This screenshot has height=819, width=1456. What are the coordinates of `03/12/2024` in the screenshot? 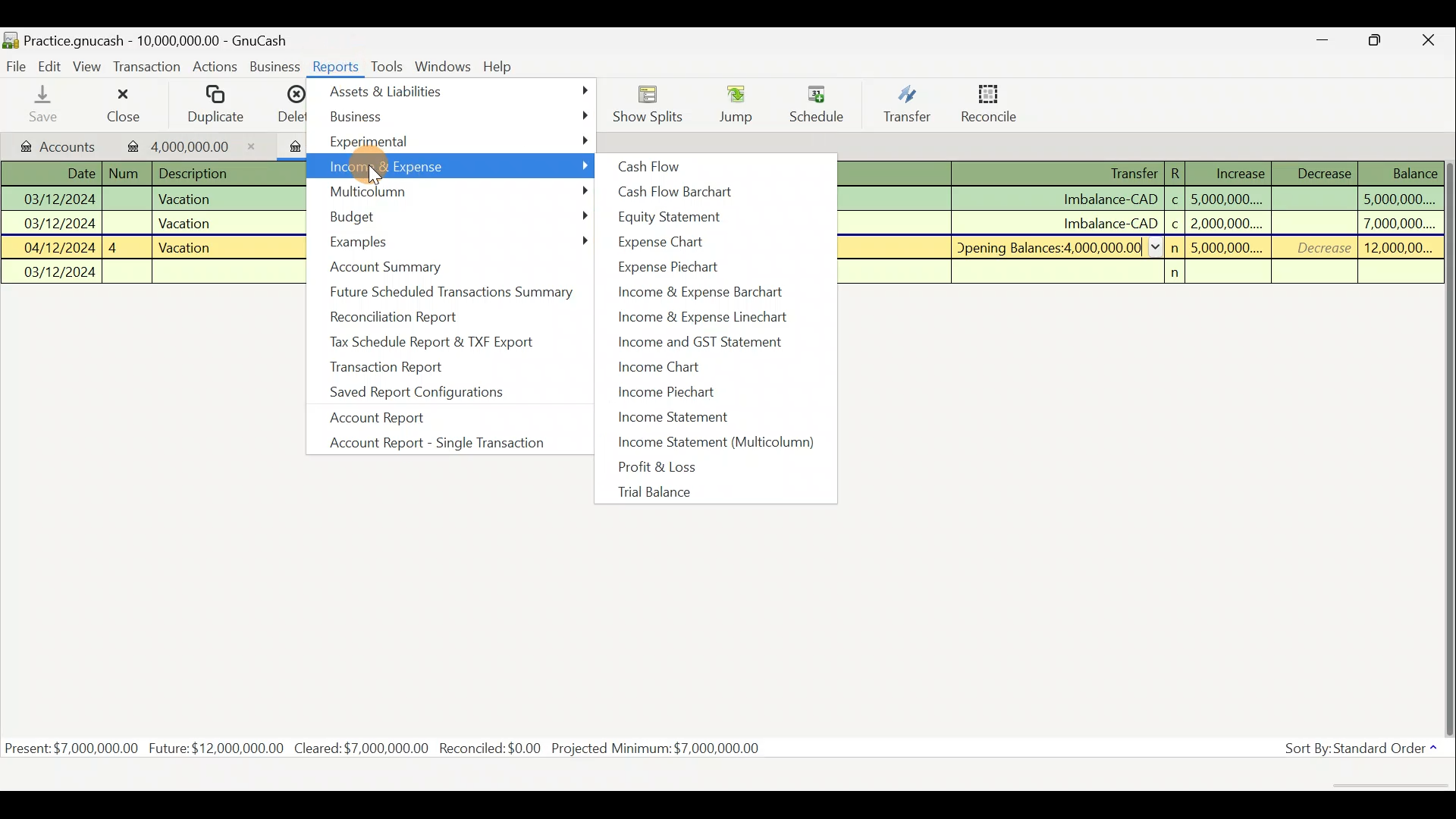 It's located at (61, 222).